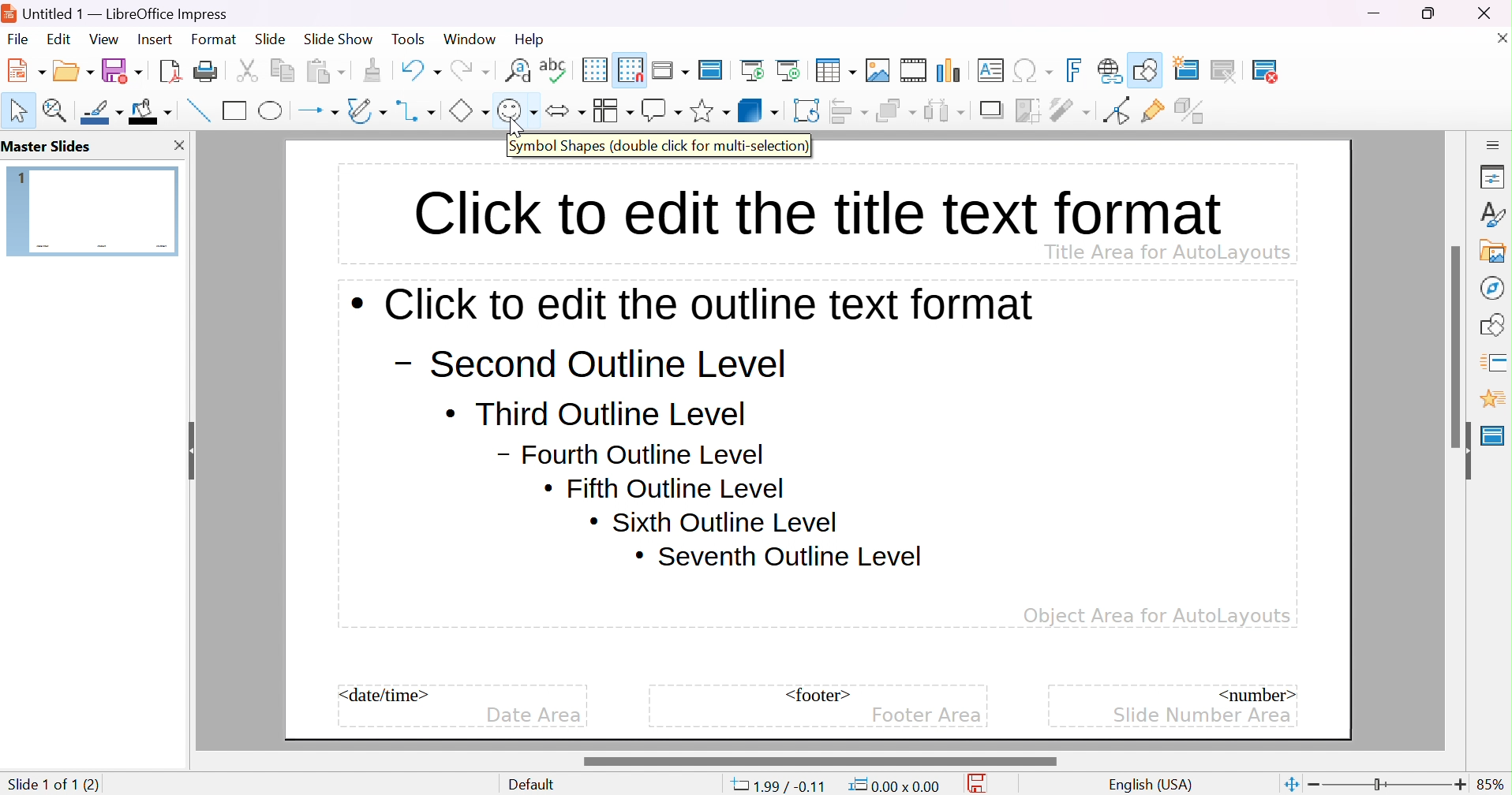  Describe the element at coordinates (709, 111) in the screenshot. I see `shapes and banners` at that location.